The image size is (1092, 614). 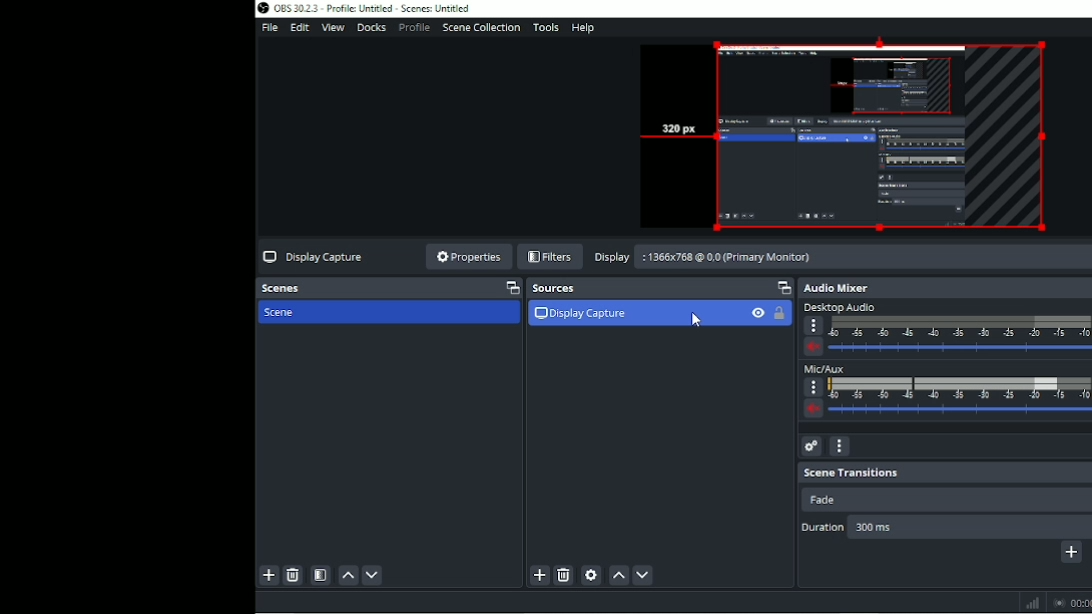 What do you see at coordinates (847, 472) in the screenshot?
I see `Scene transitions` at bounding box center [847, 472].